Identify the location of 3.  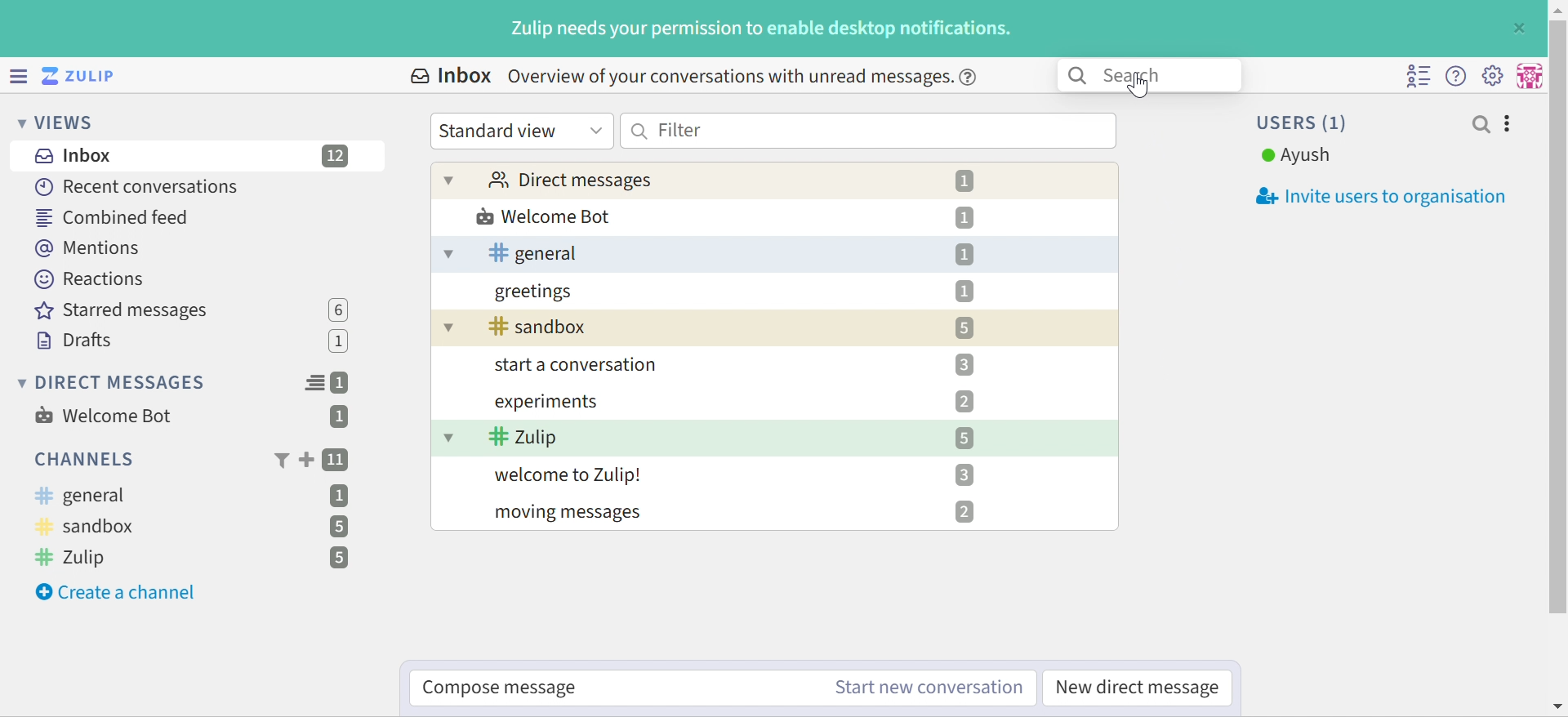
(965, 364).